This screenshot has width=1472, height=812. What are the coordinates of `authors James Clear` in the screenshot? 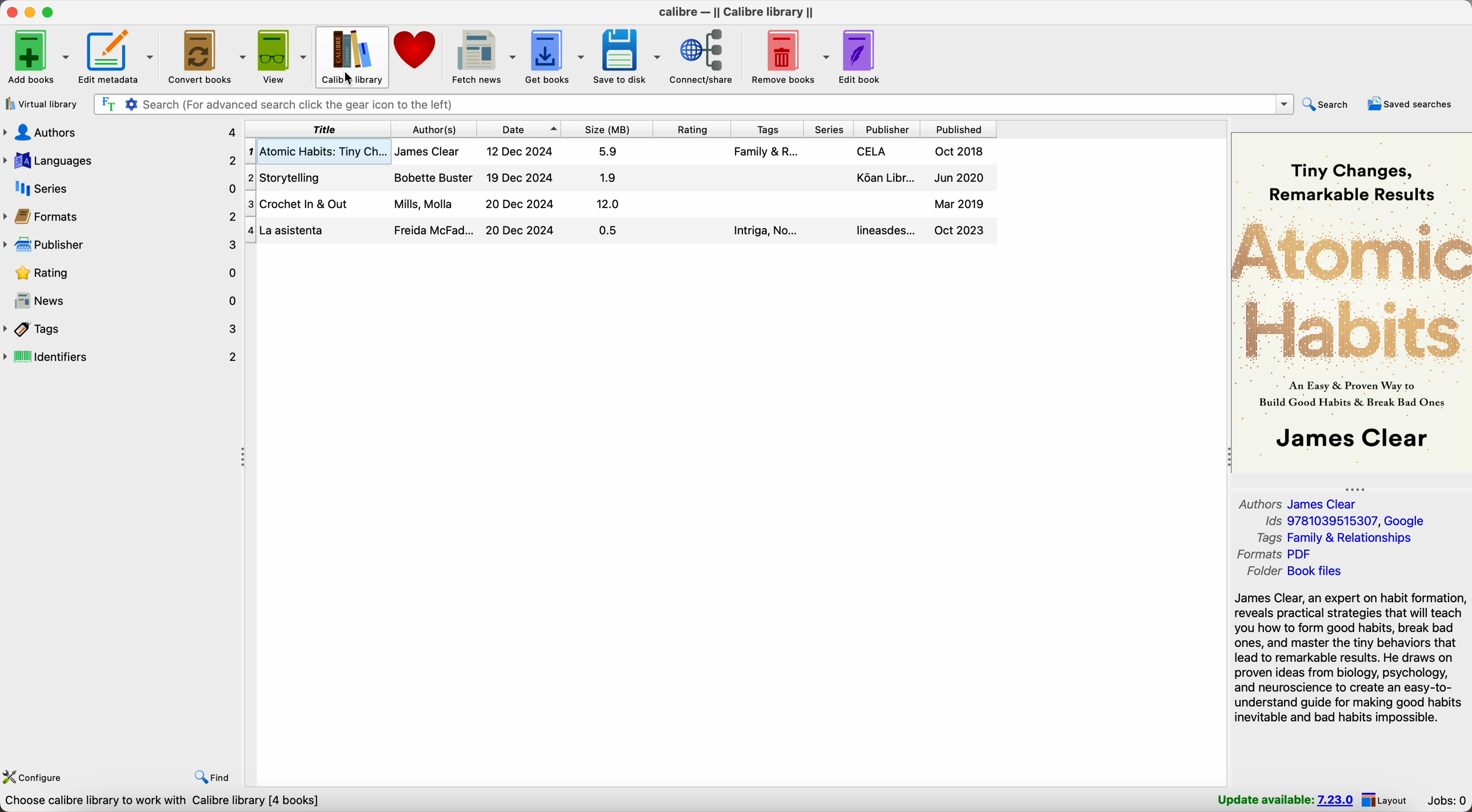 It's located at (1298, 503).